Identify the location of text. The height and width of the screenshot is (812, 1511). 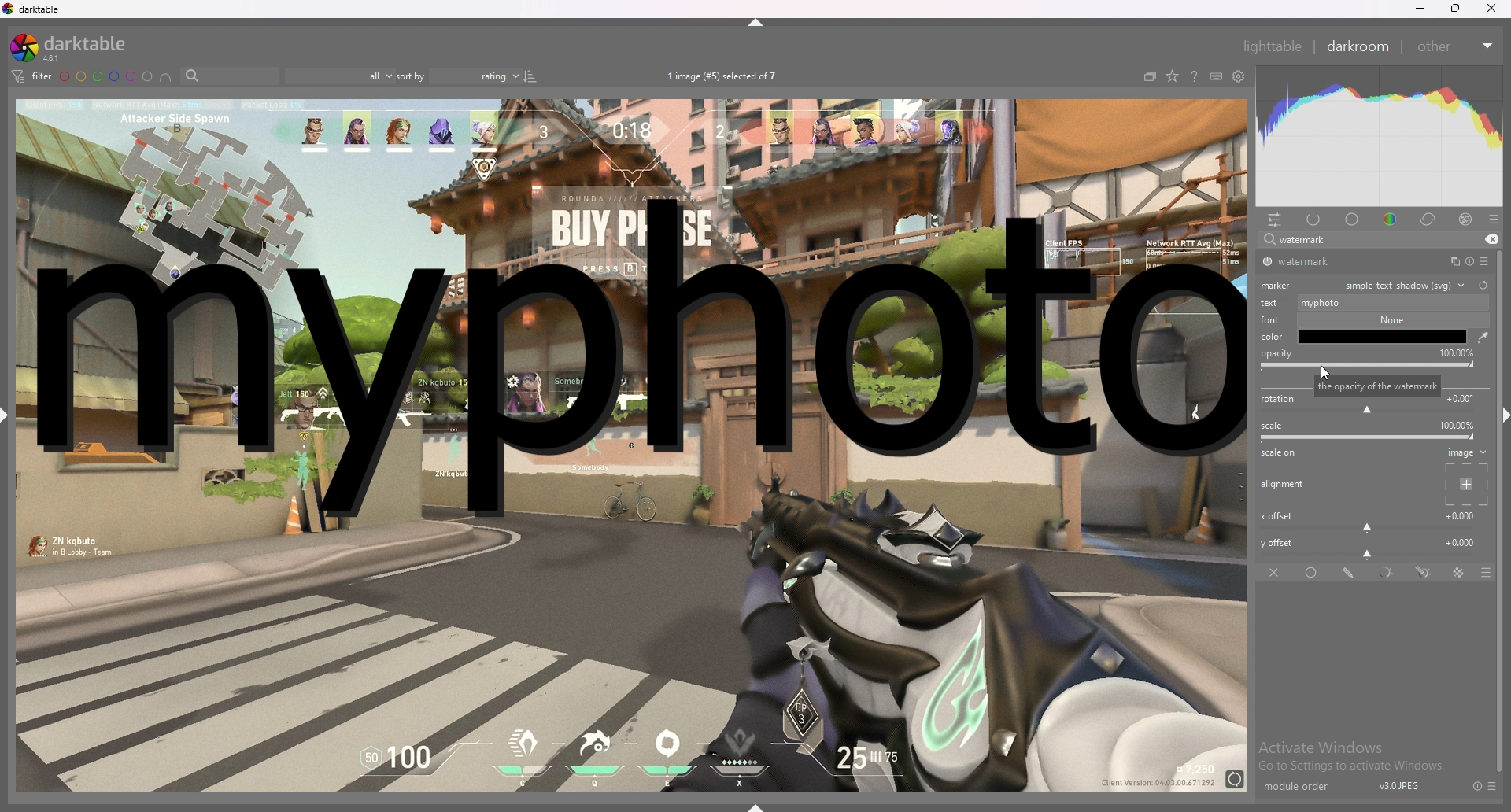
(1272, 302).